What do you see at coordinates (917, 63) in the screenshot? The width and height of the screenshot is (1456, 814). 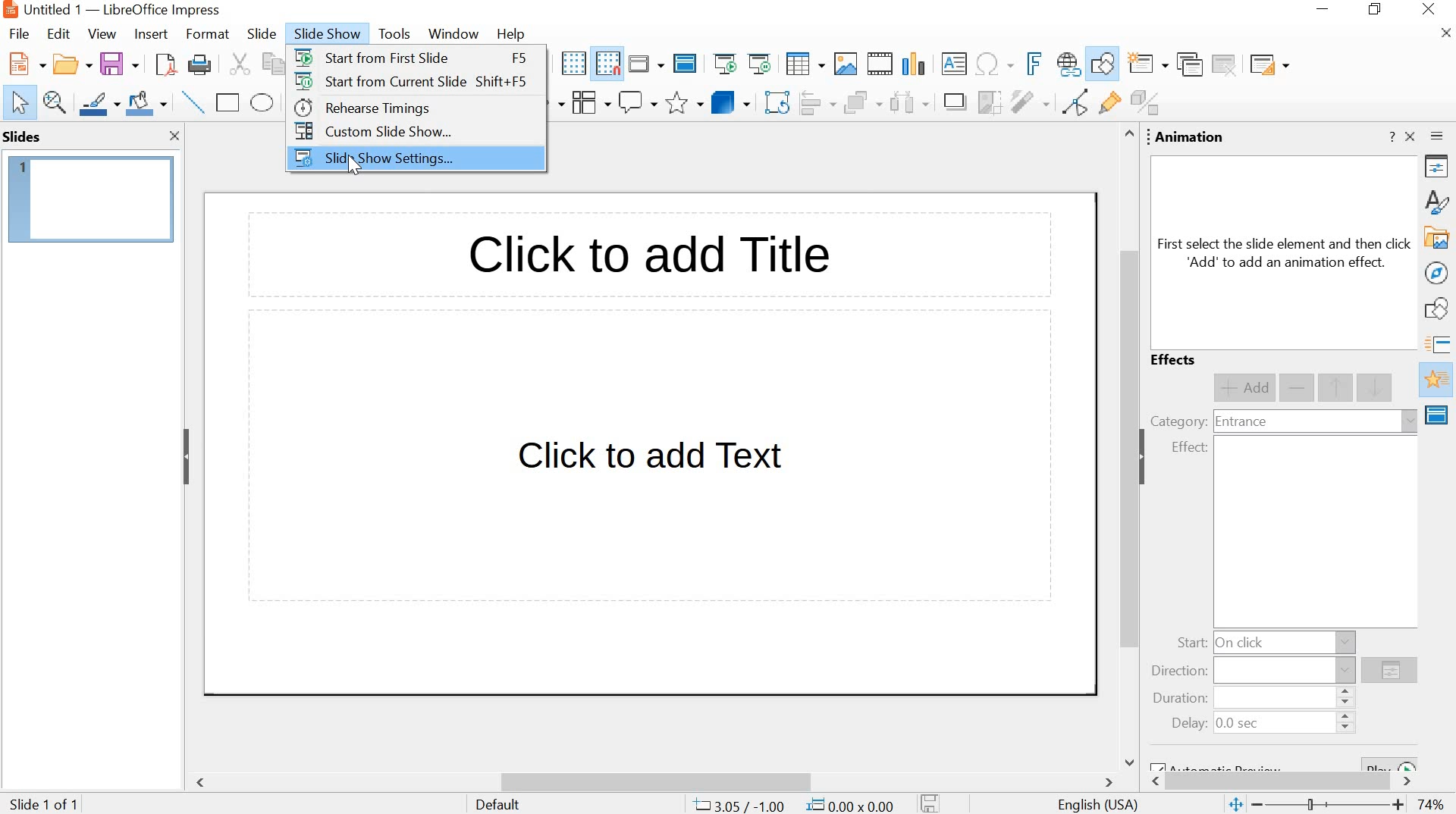 I see `insert chart` at bounding box center [917, 63].